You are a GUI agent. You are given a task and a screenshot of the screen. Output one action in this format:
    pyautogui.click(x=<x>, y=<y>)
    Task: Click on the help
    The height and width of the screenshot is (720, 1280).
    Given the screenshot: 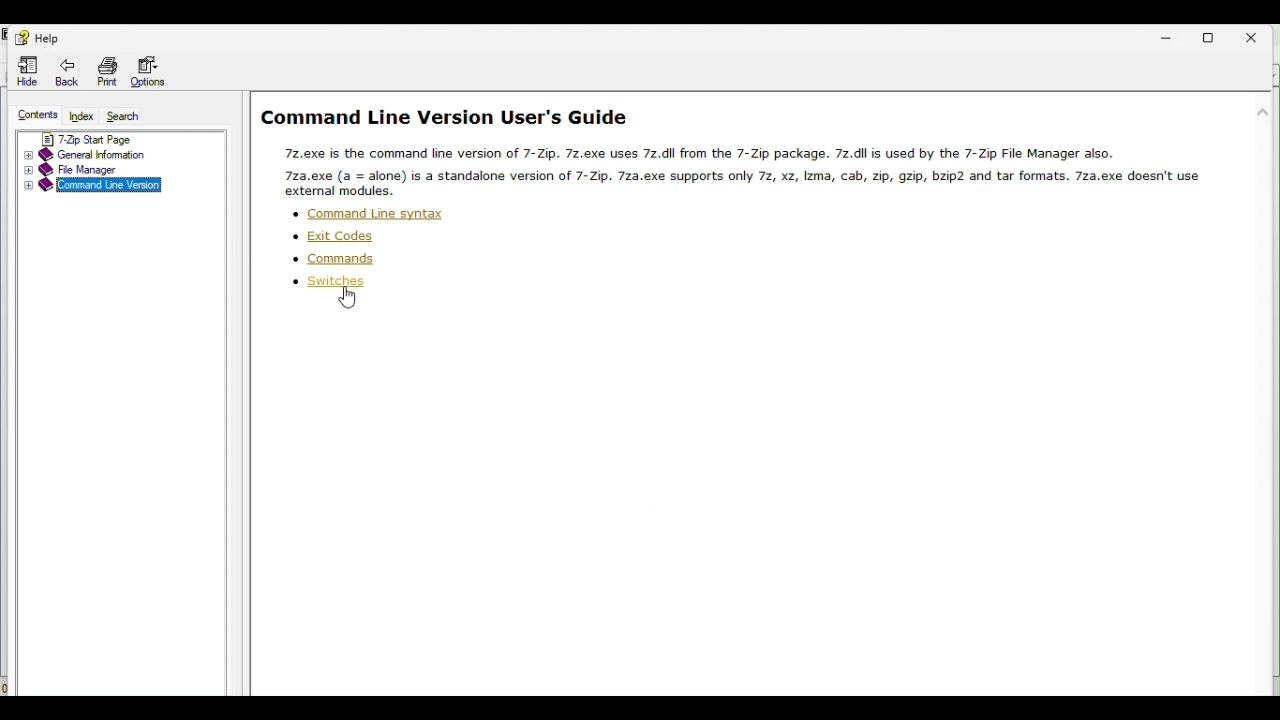 What is the action you would take?
    pyautogui.click(x=35, y=38)
    